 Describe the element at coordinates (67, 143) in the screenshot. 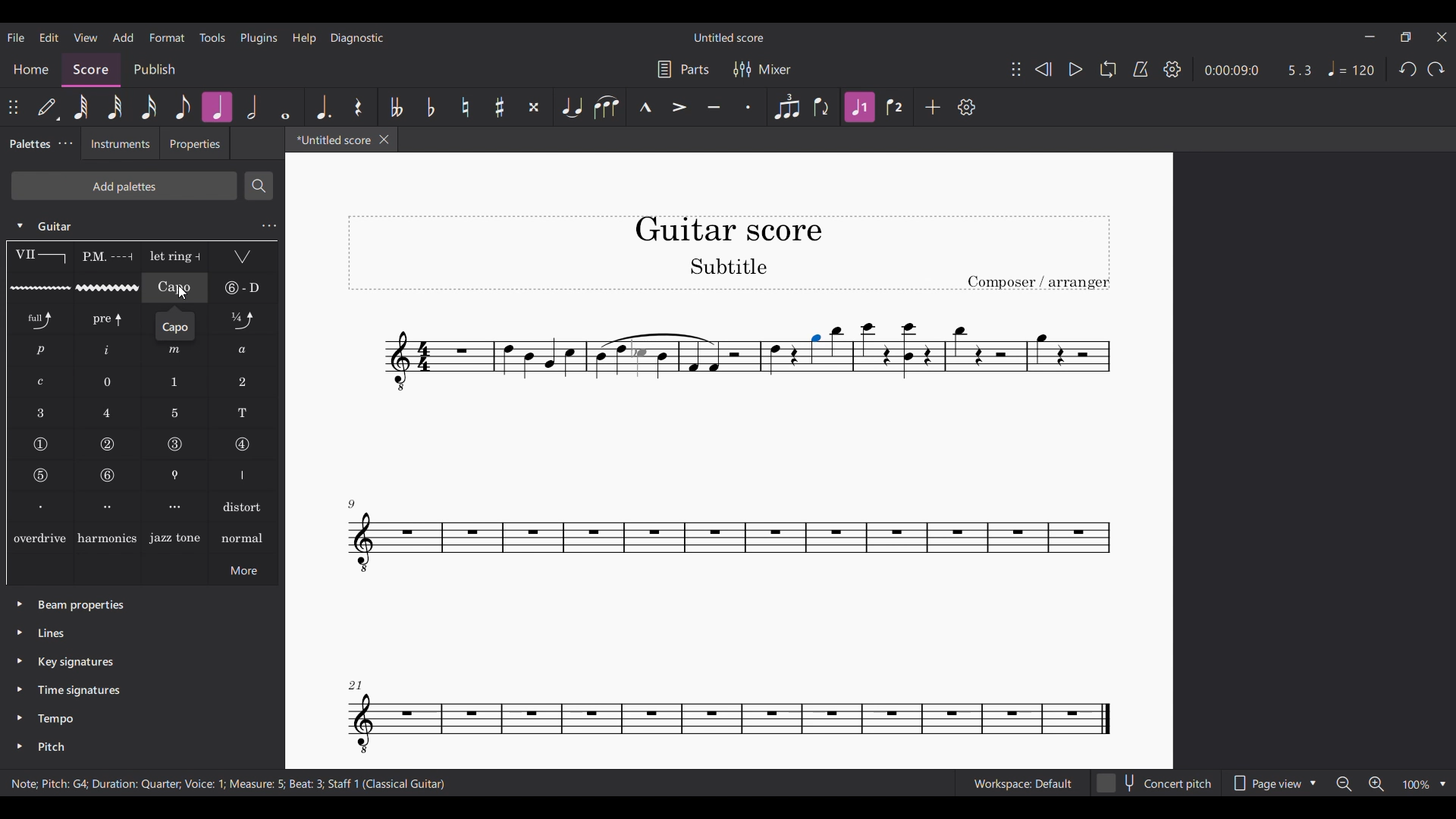

I see `Palette tab settings` at that location.